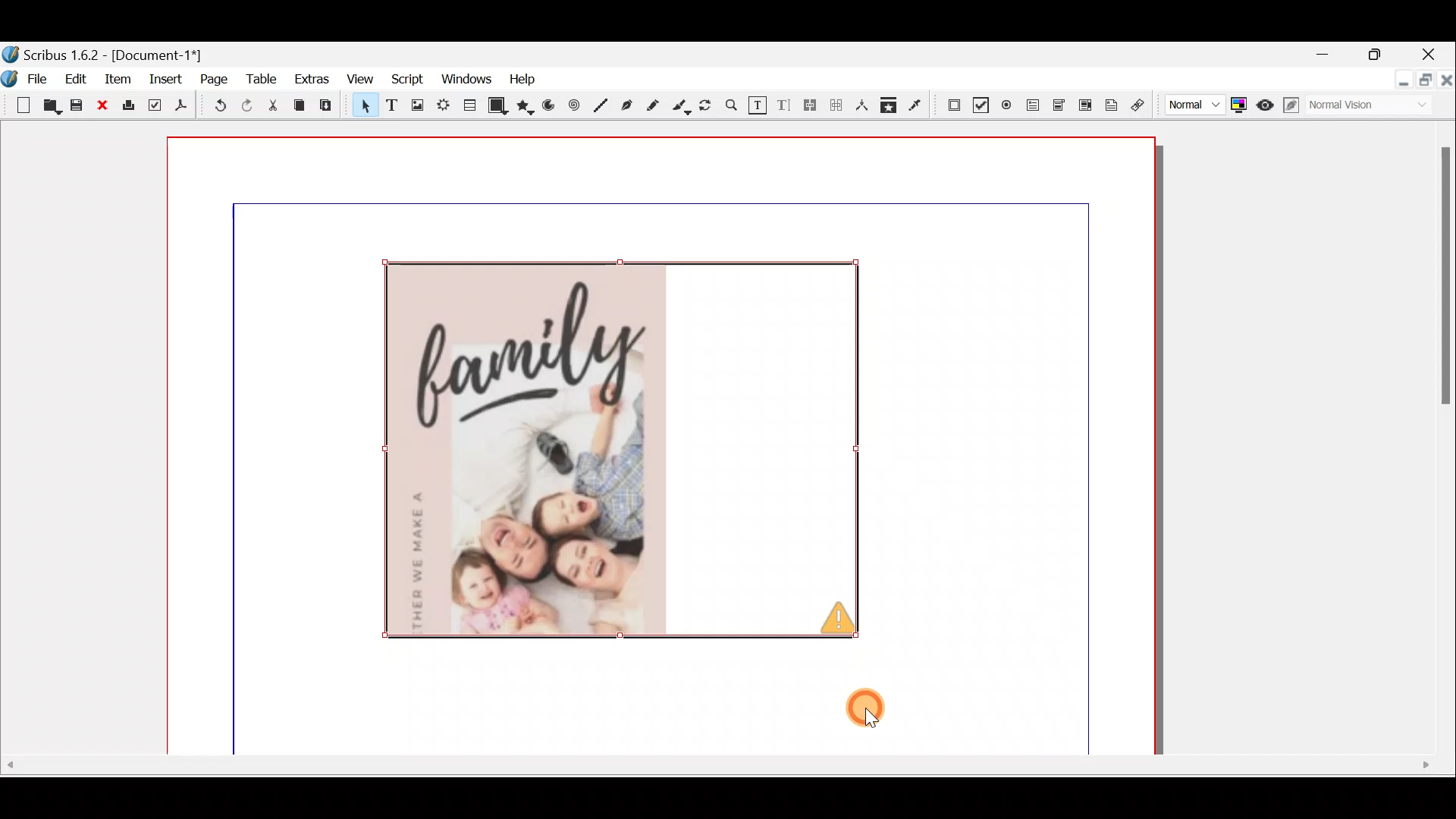 The image size is (1456, 819). What do you see at coordinates (1376, 108) in the screenshot?
I see `Visual appearance of display` at bounding box center [1376, 108].